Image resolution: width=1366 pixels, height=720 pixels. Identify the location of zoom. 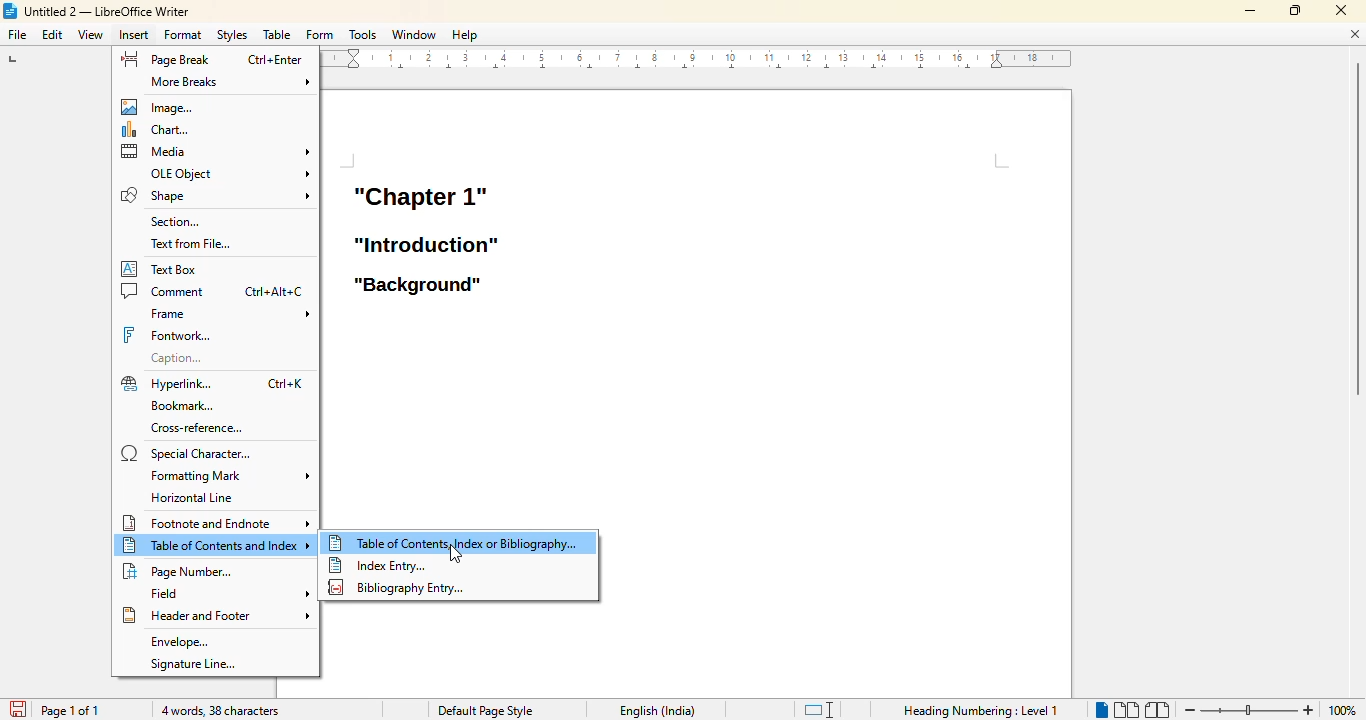
(1247, 710).